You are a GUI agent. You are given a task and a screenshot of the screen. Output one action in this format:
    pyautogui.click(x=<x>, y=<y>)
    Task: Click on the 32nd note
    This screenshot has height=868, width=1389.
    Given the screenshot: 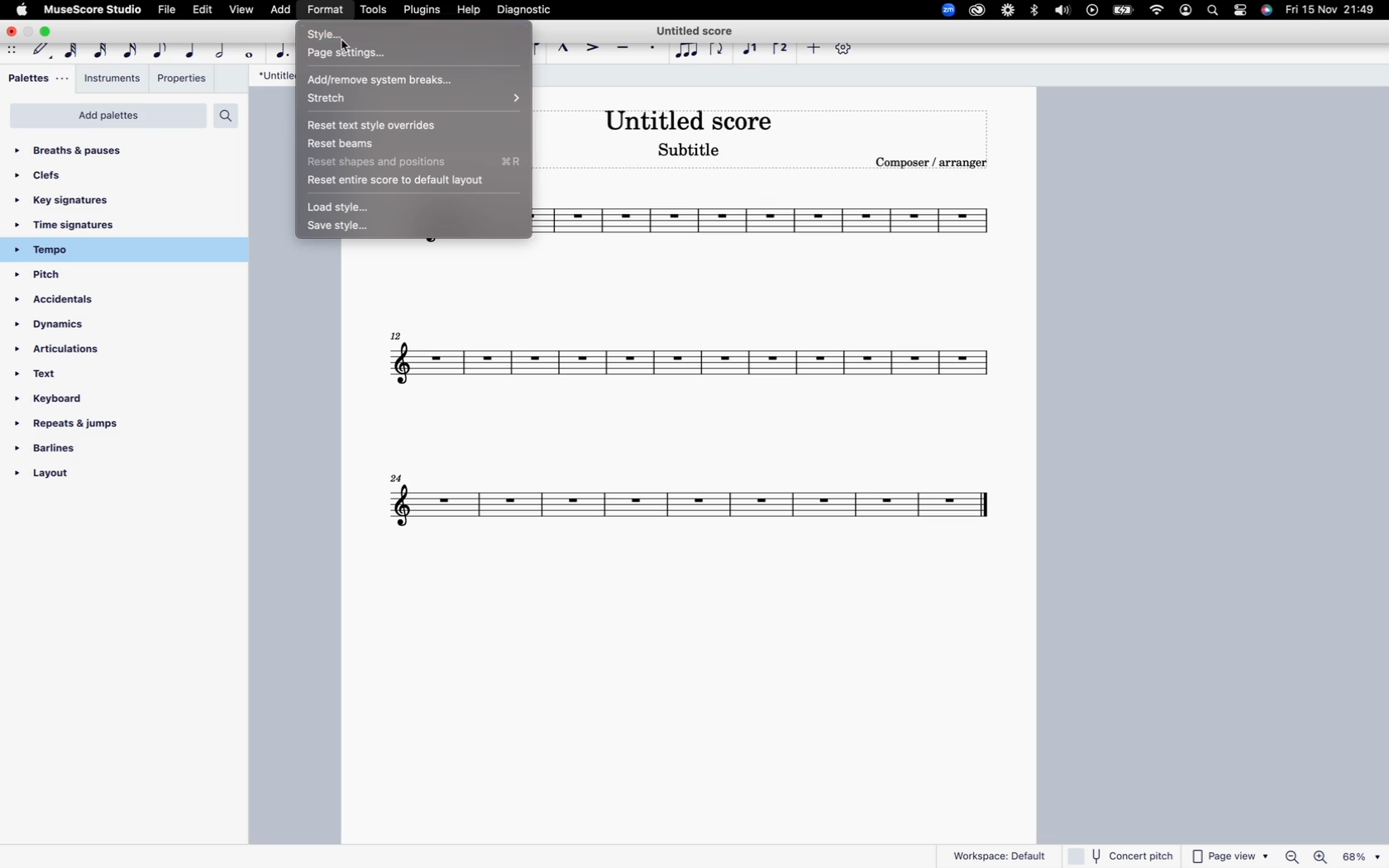 What is the action you would take?
    pyautogui.click(x=102, y=48)
    